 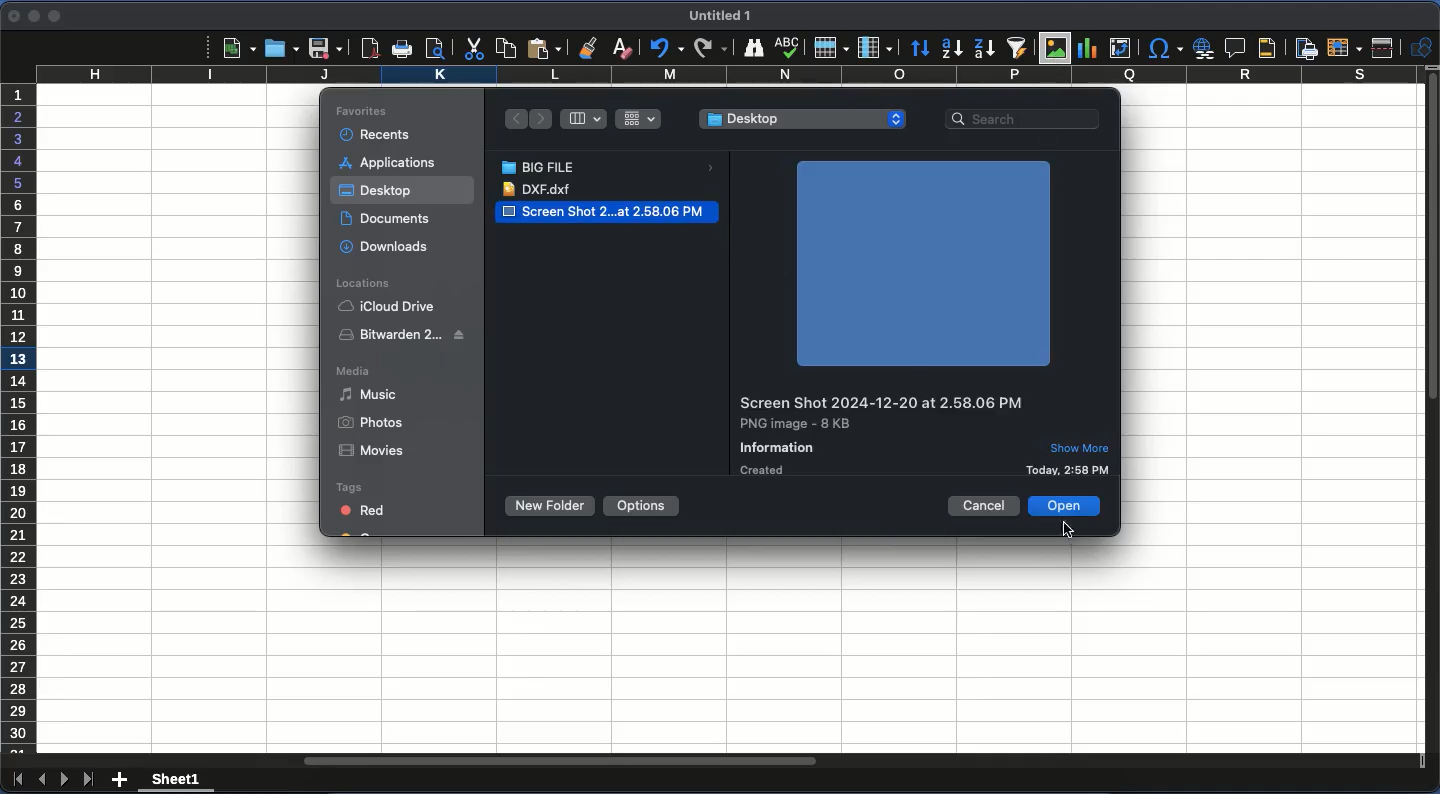 I want to click on headers and footers, so click(x=1263, y=47).